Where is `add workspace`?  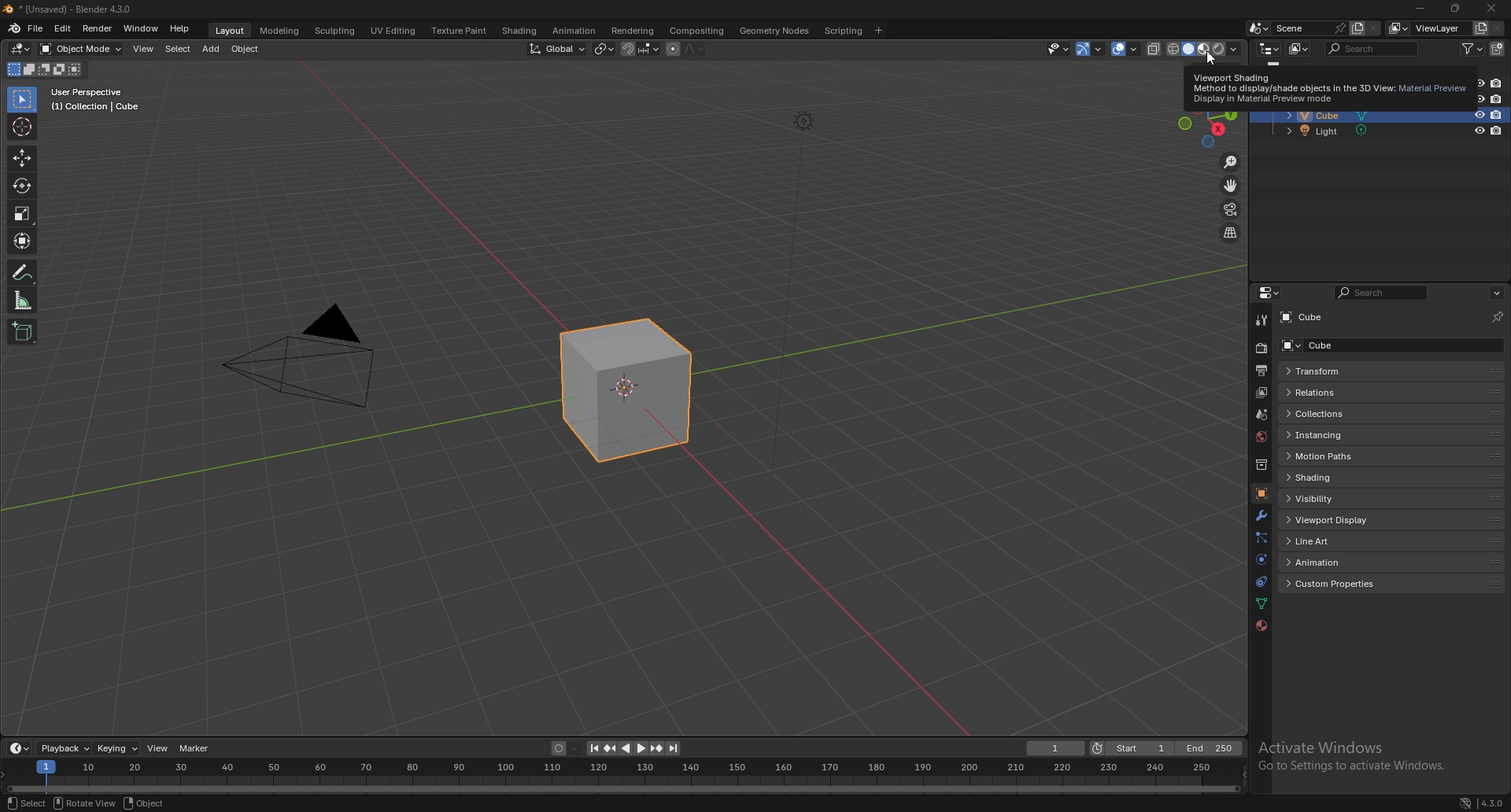
add workspace is located at coordinates (878, 31).